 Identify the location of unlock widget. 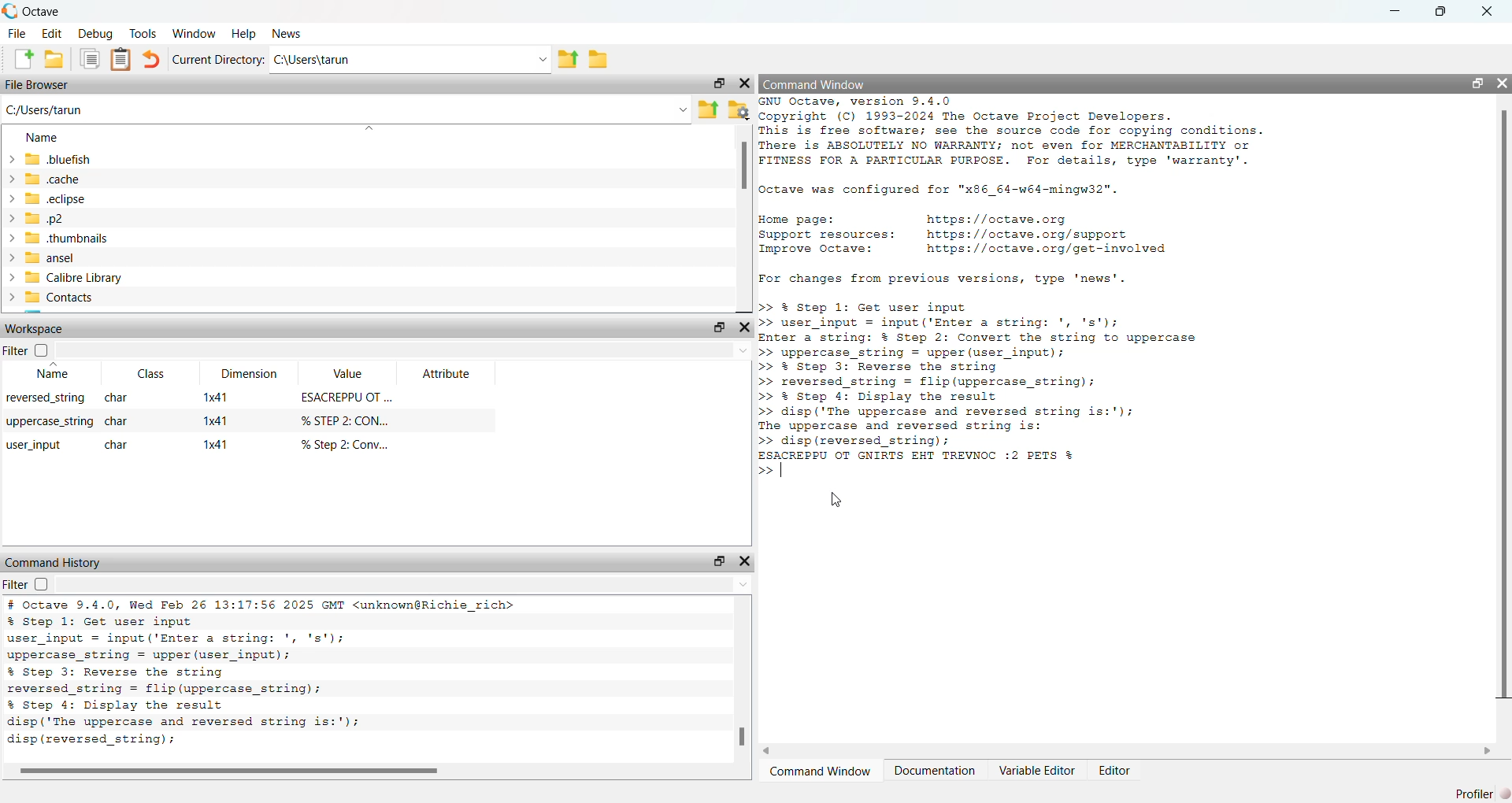
(719, 561).